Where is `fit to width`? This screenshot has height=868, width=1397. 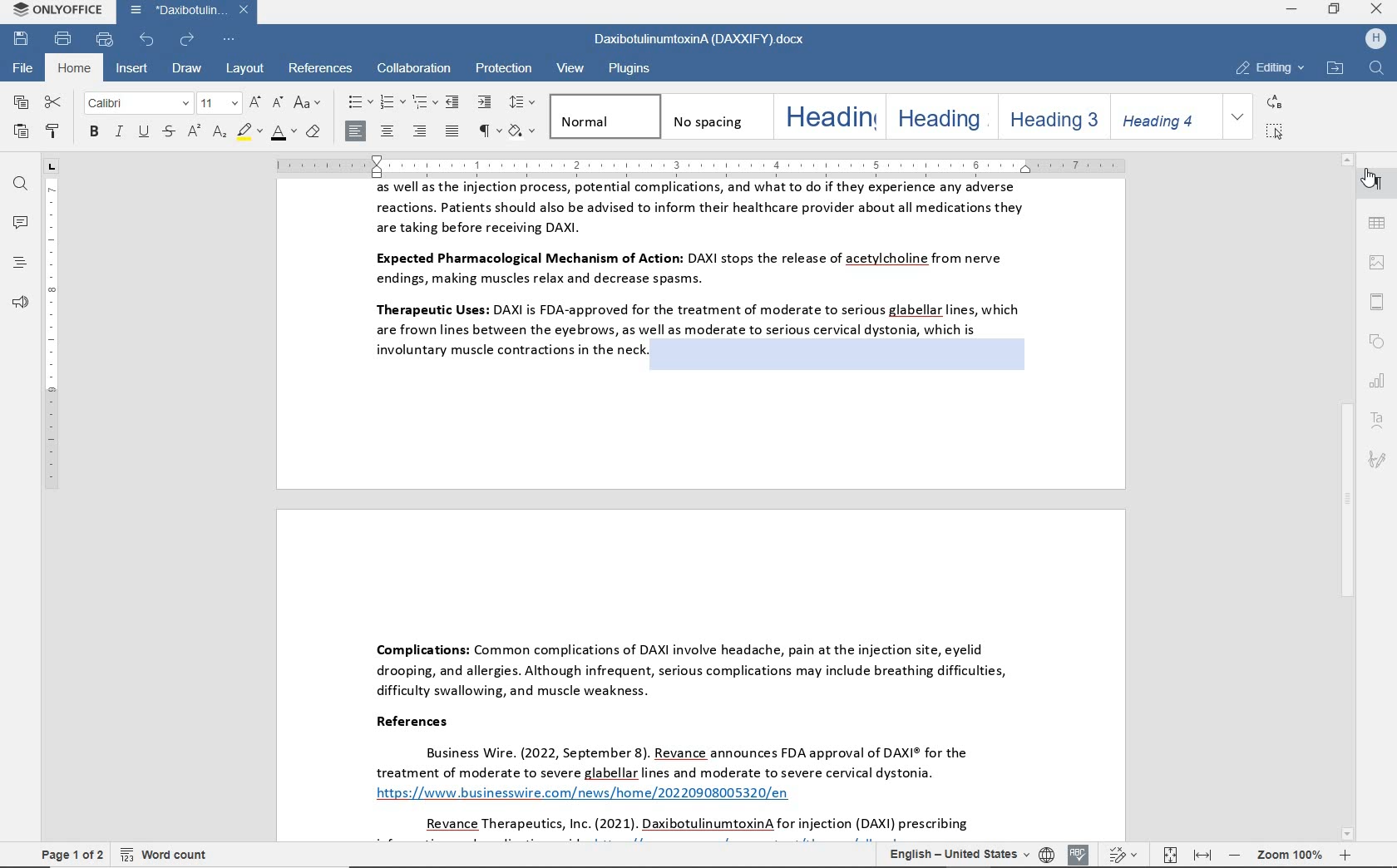
fit to width is located at coordinates (1201, 856).